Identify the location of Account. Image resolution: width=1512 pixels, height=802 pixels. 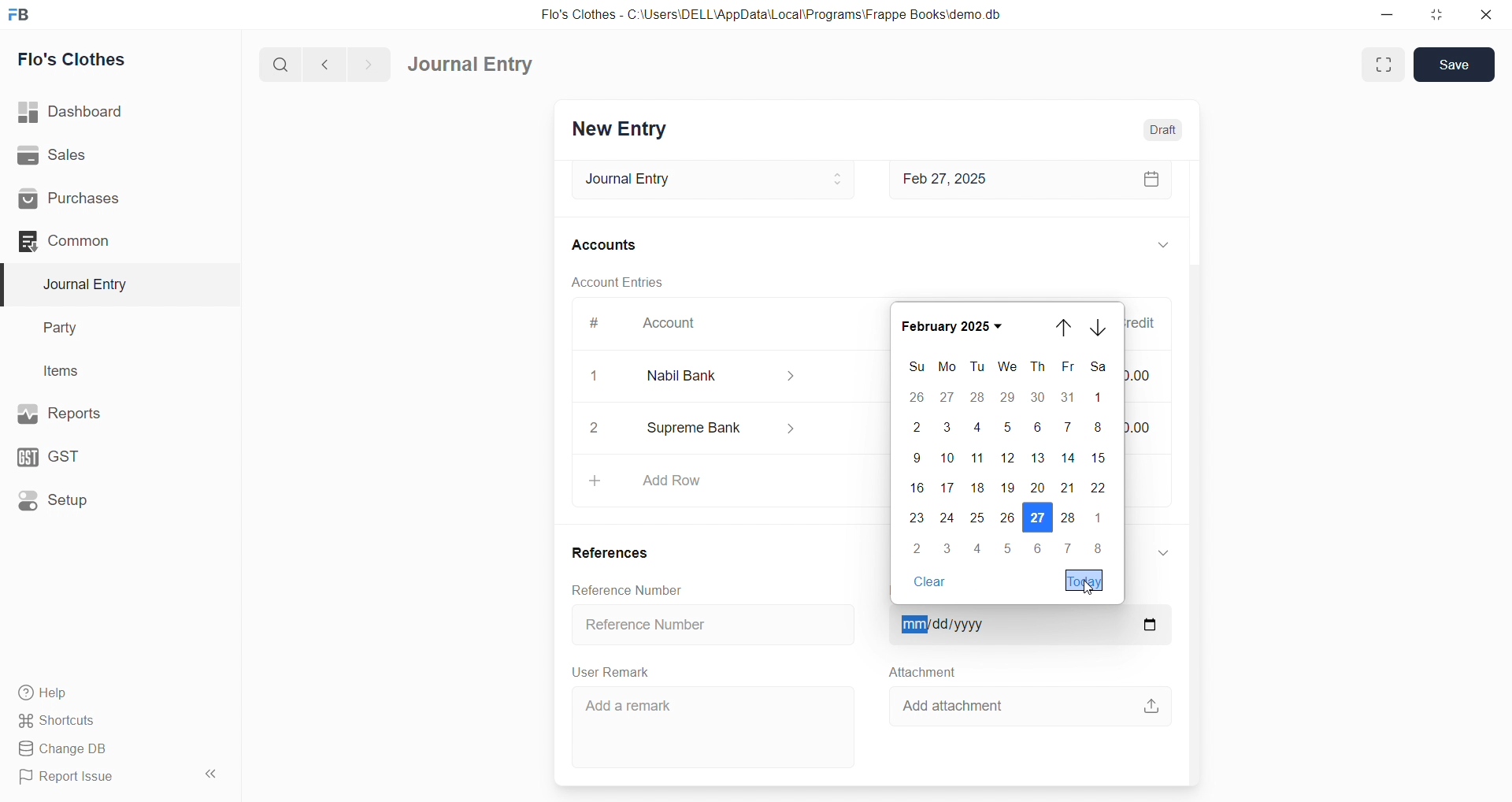
(674, 326).